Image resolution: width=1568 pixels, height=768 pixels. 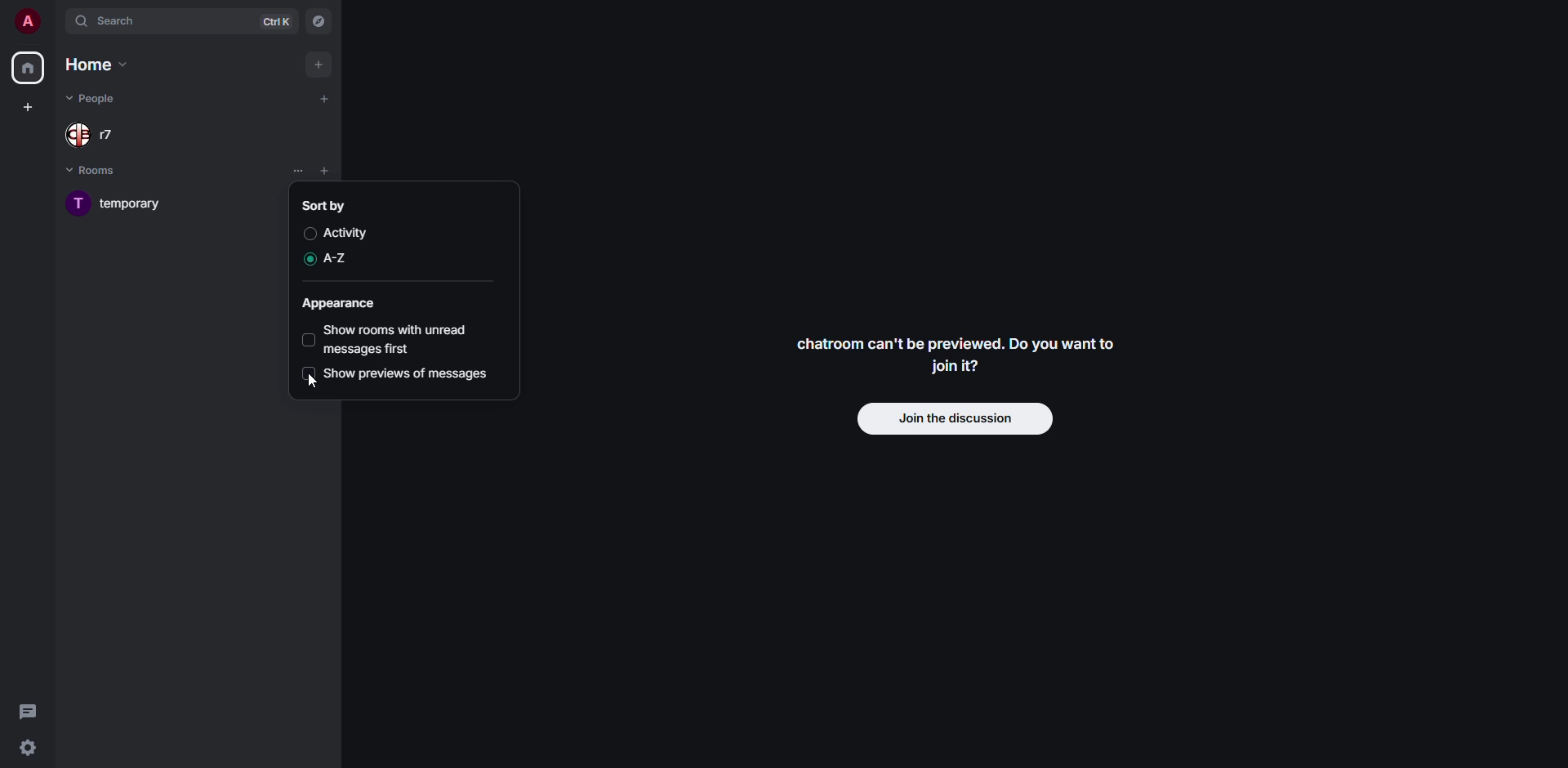 I want to click on sort by, so click(x=325, y=205).